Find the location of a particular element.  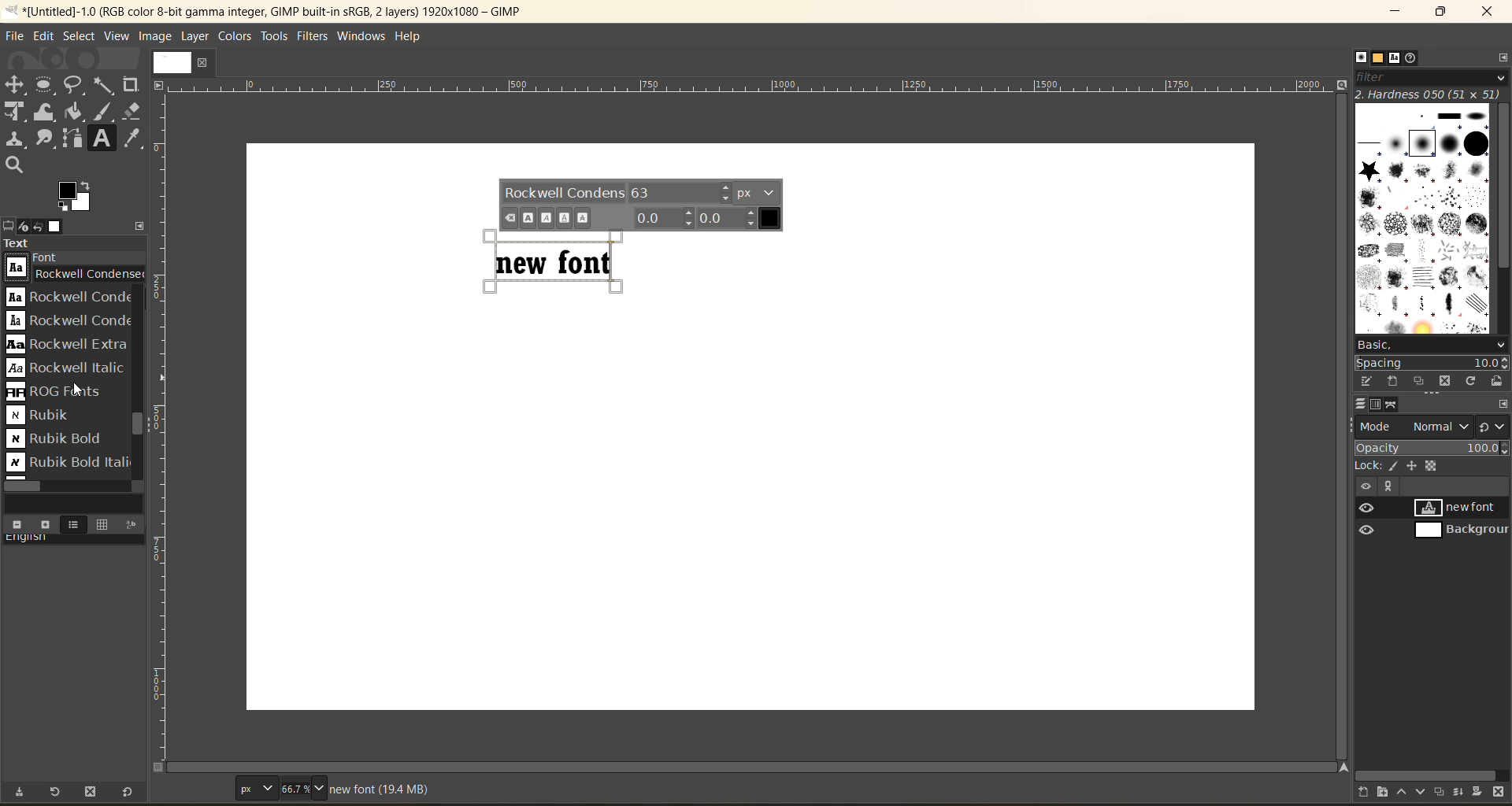

zoom is located at coordinates (328, 786).